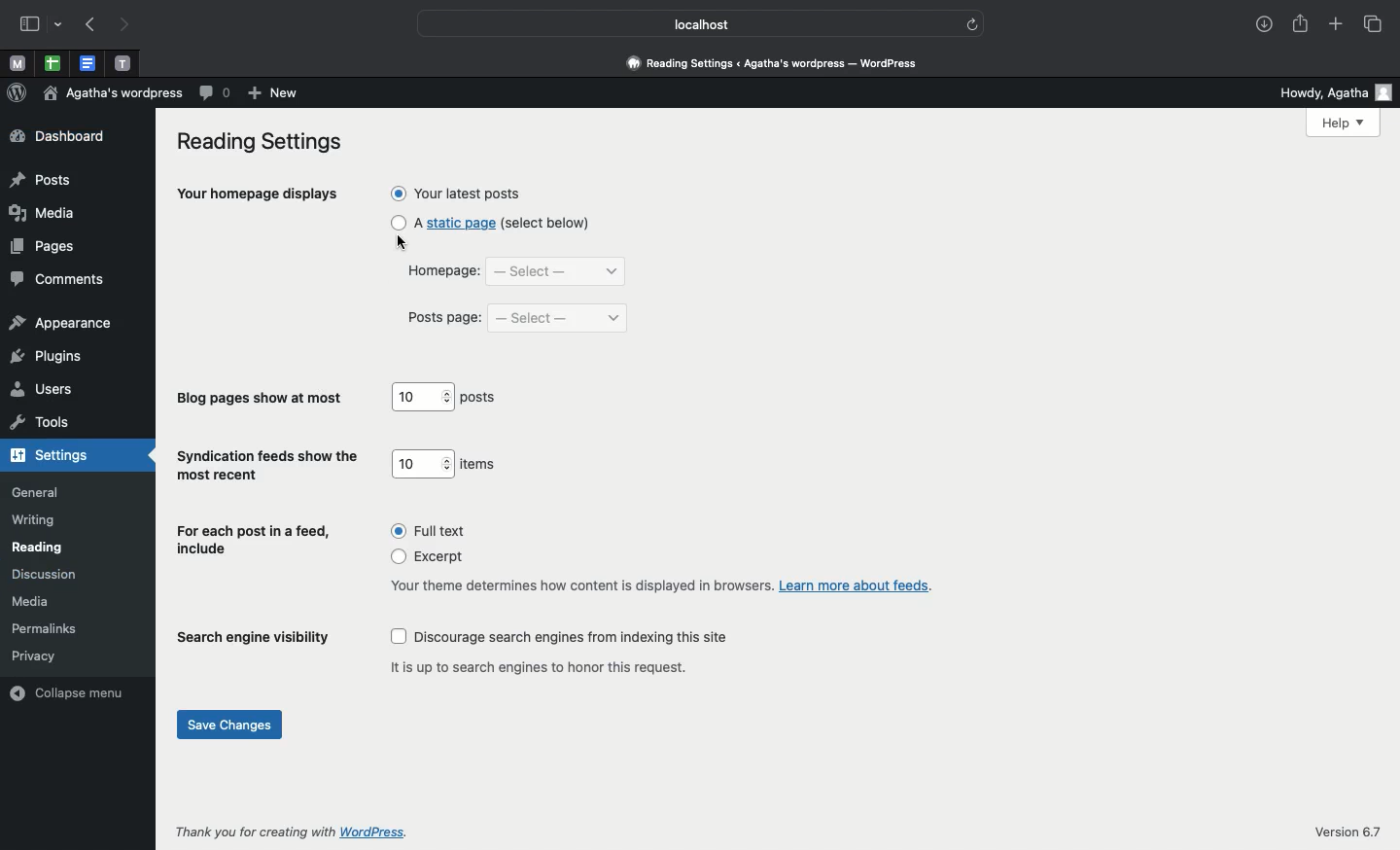  I want to click on Select, so click(558, 318).